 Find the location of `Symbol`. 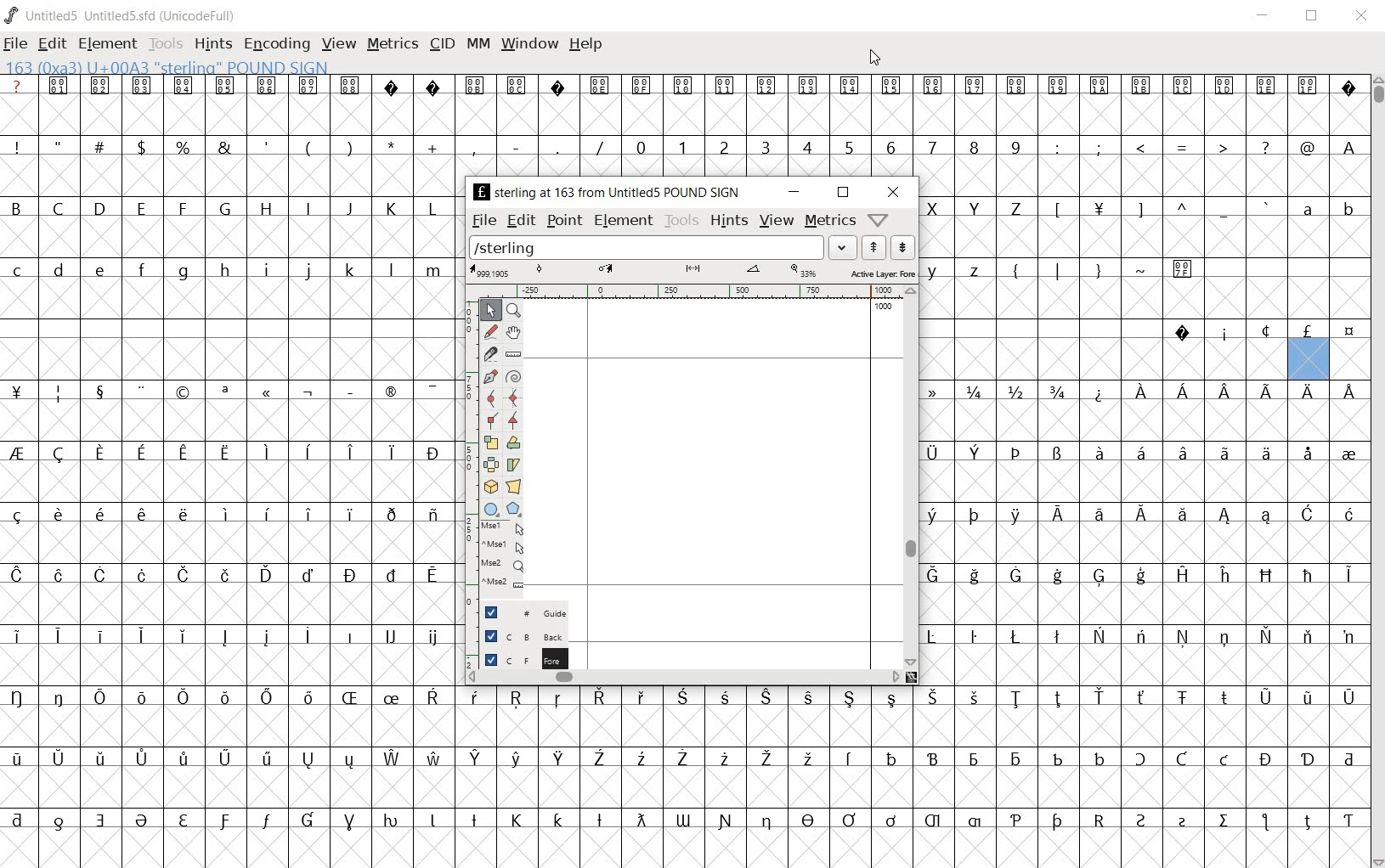

Symbol is located at coordinates (267, 759).